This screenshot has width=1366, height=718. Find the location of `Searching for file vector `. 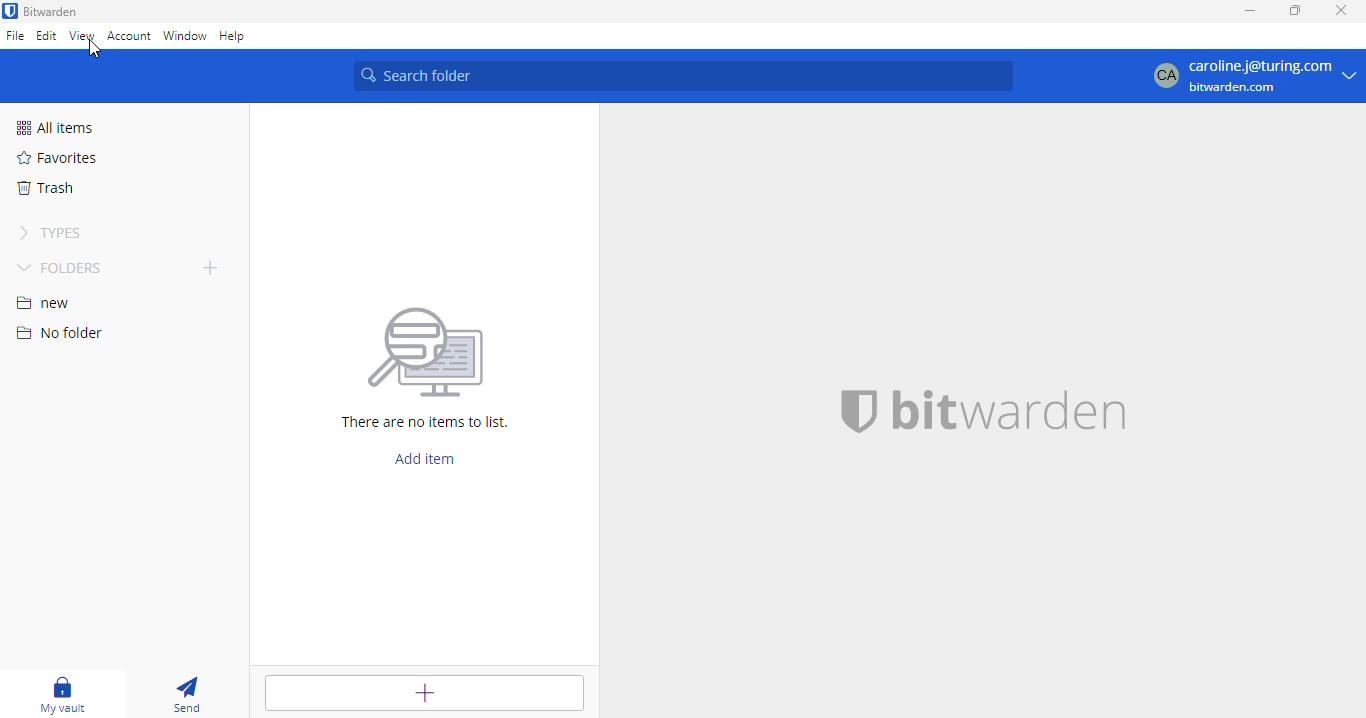

Searching for file vector  is located at coordinates (429, 344).